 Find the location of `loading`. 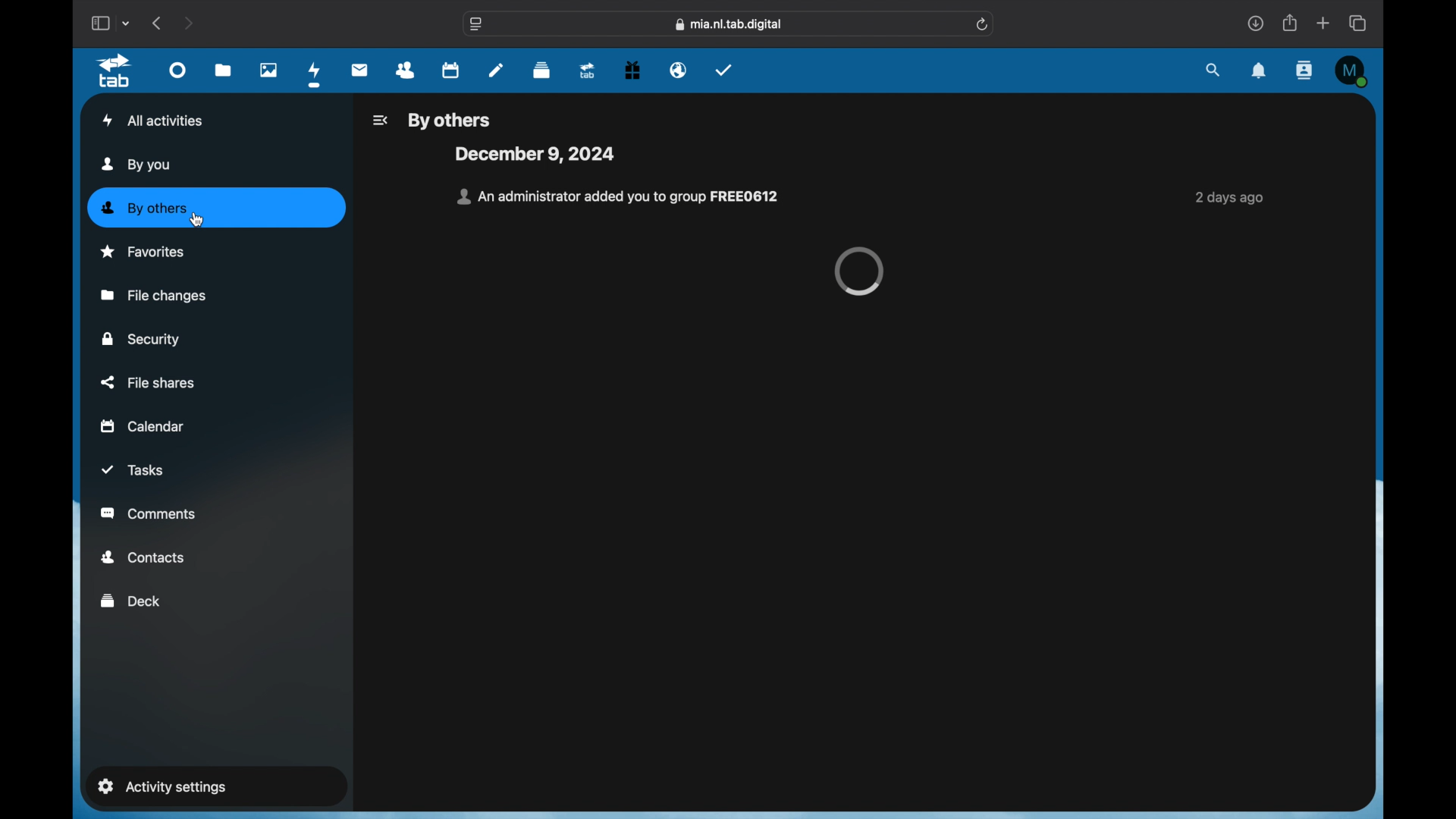

loading is located at coordinates (860, 273).